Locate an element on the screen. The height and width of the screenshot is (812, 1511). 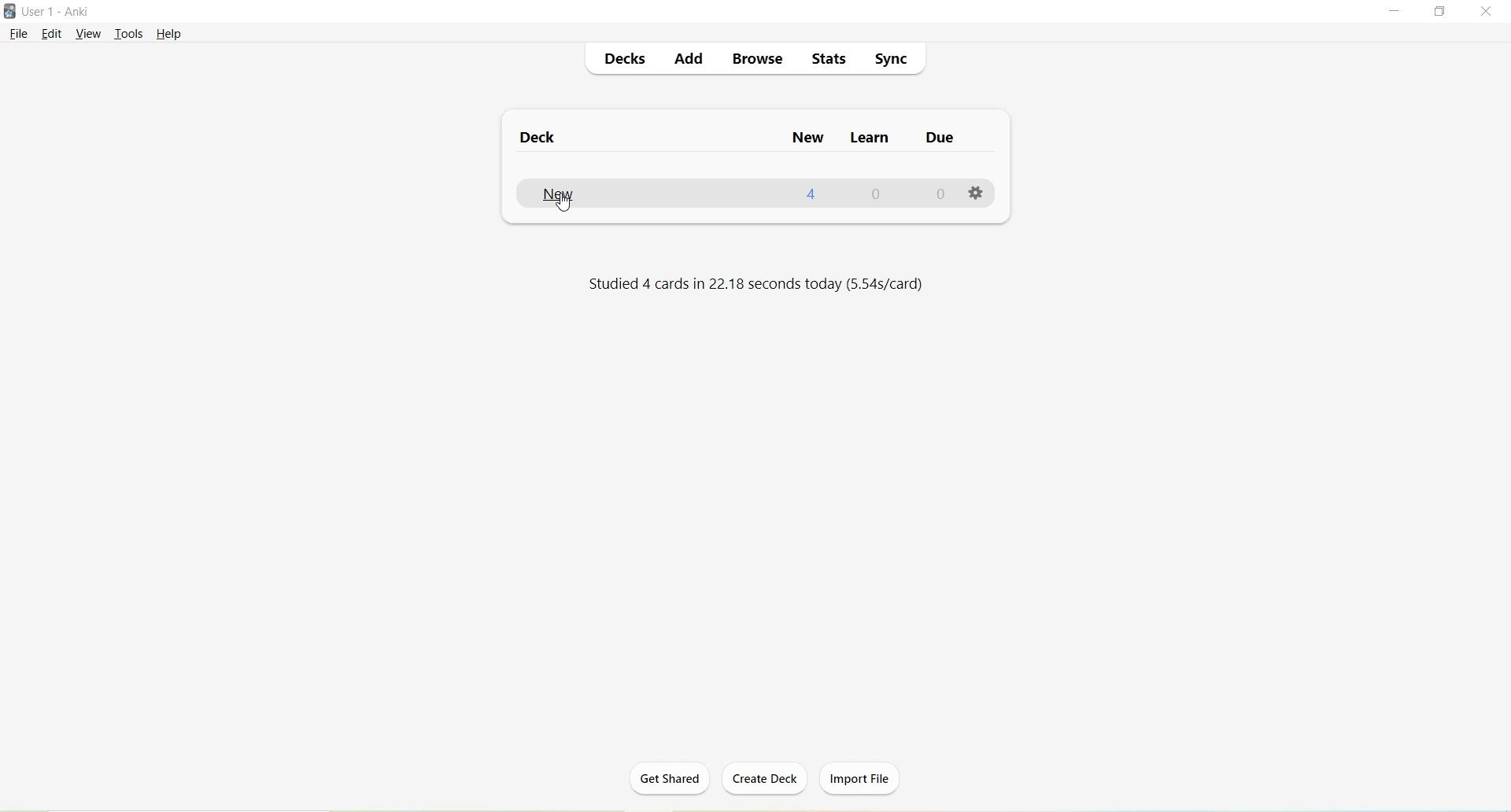
User 1 - Anki is located at coordinates (56, 12).